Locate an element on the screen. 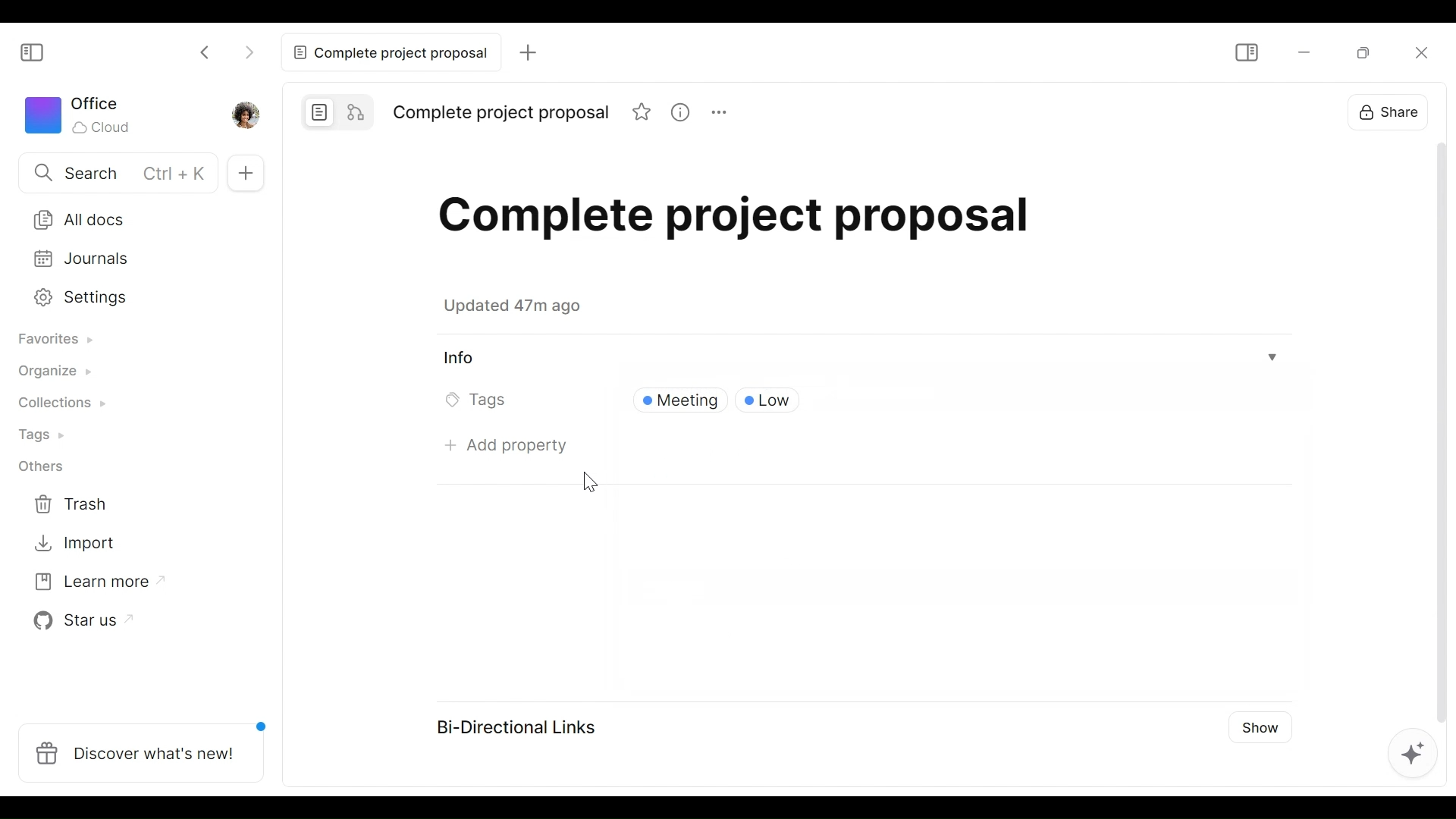  Show/Hide Sidebar is located at coordinates (39, 53).